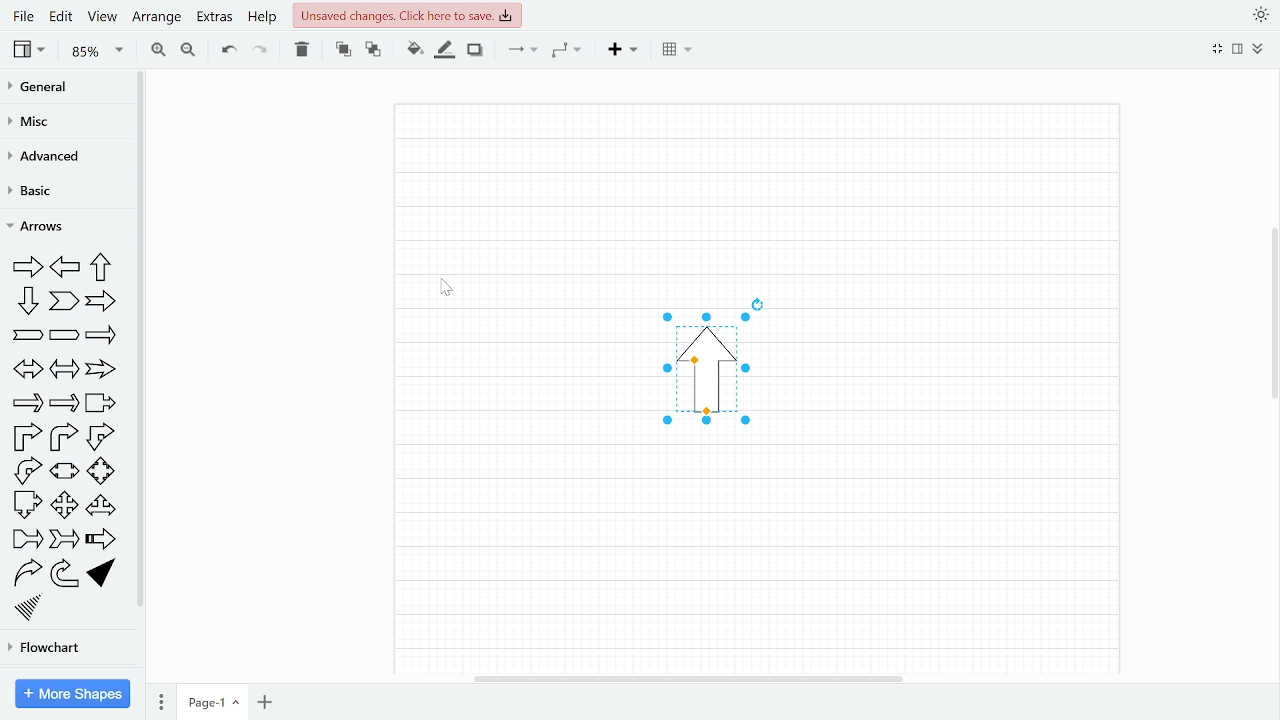 The height and width of the screenshot is (720, 1280). What do you see at coordinates (94, 52) in the screenshot?
I see `Zoom` at bounding box center [94, 52].